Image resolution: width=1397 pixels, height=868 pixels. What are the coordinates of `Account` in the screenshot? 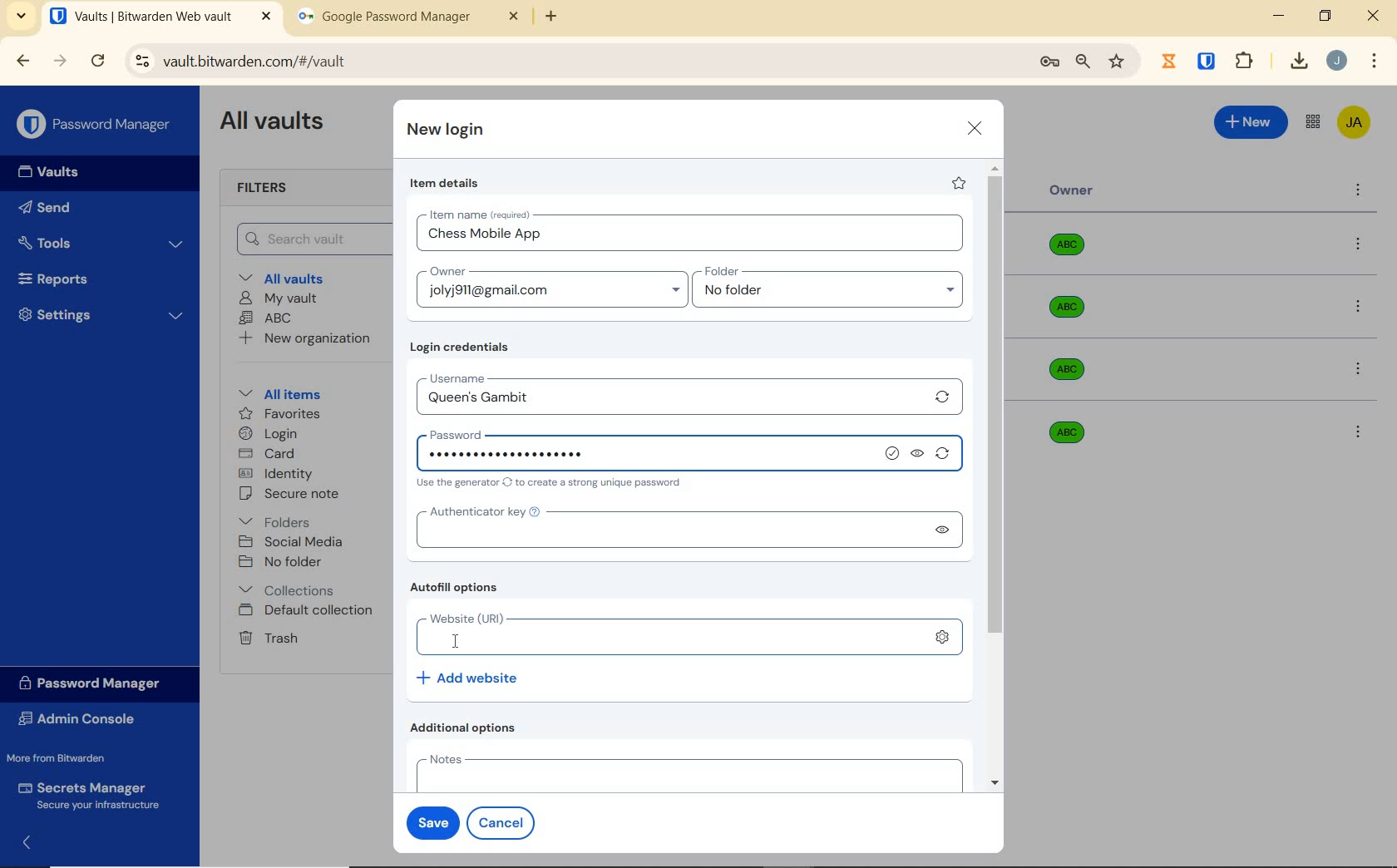 It's located at (1336, 61).